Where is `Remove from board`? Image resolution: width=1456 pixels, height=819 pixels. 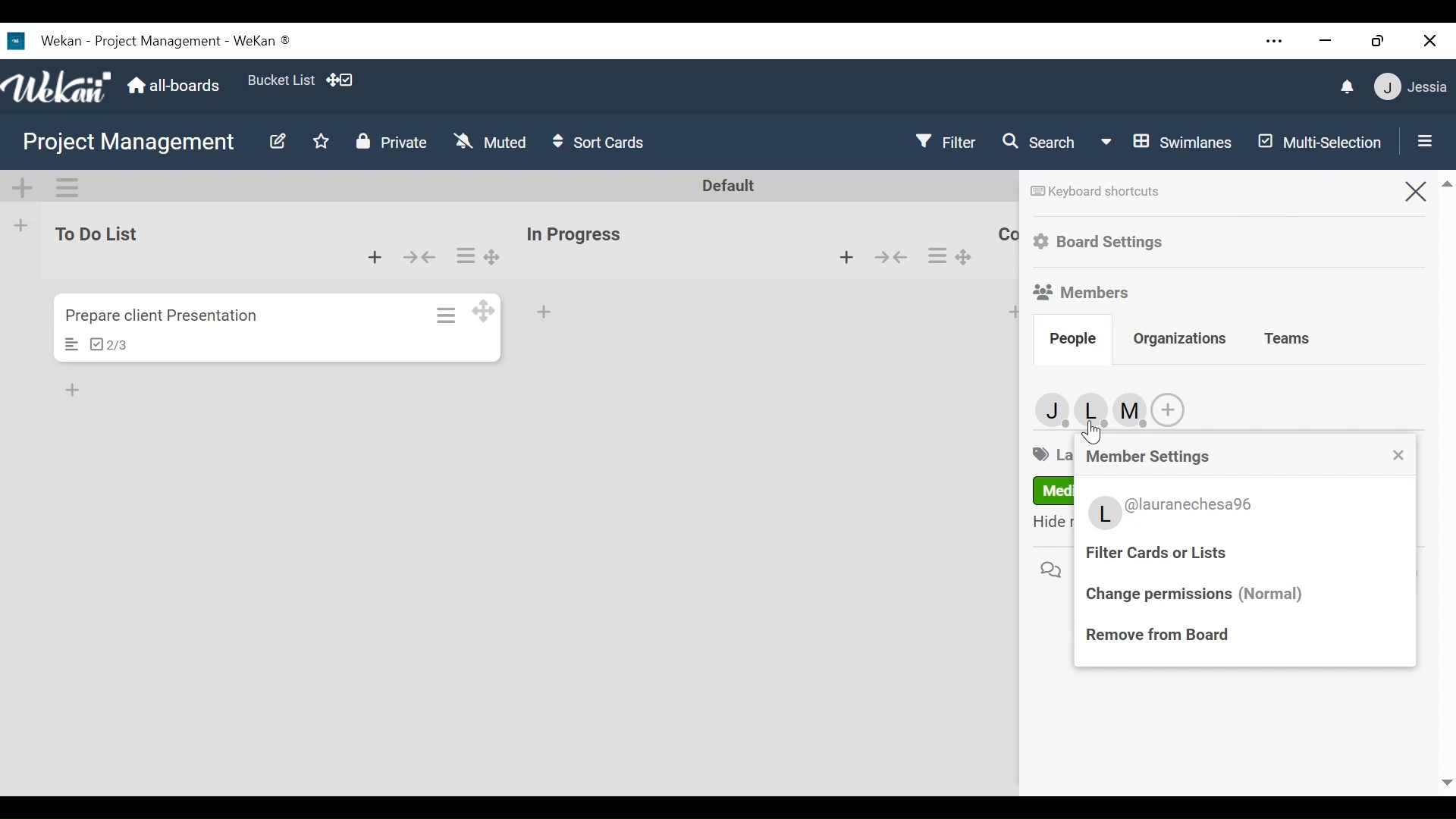
Remove from board is located at coordinates (1155, 635).